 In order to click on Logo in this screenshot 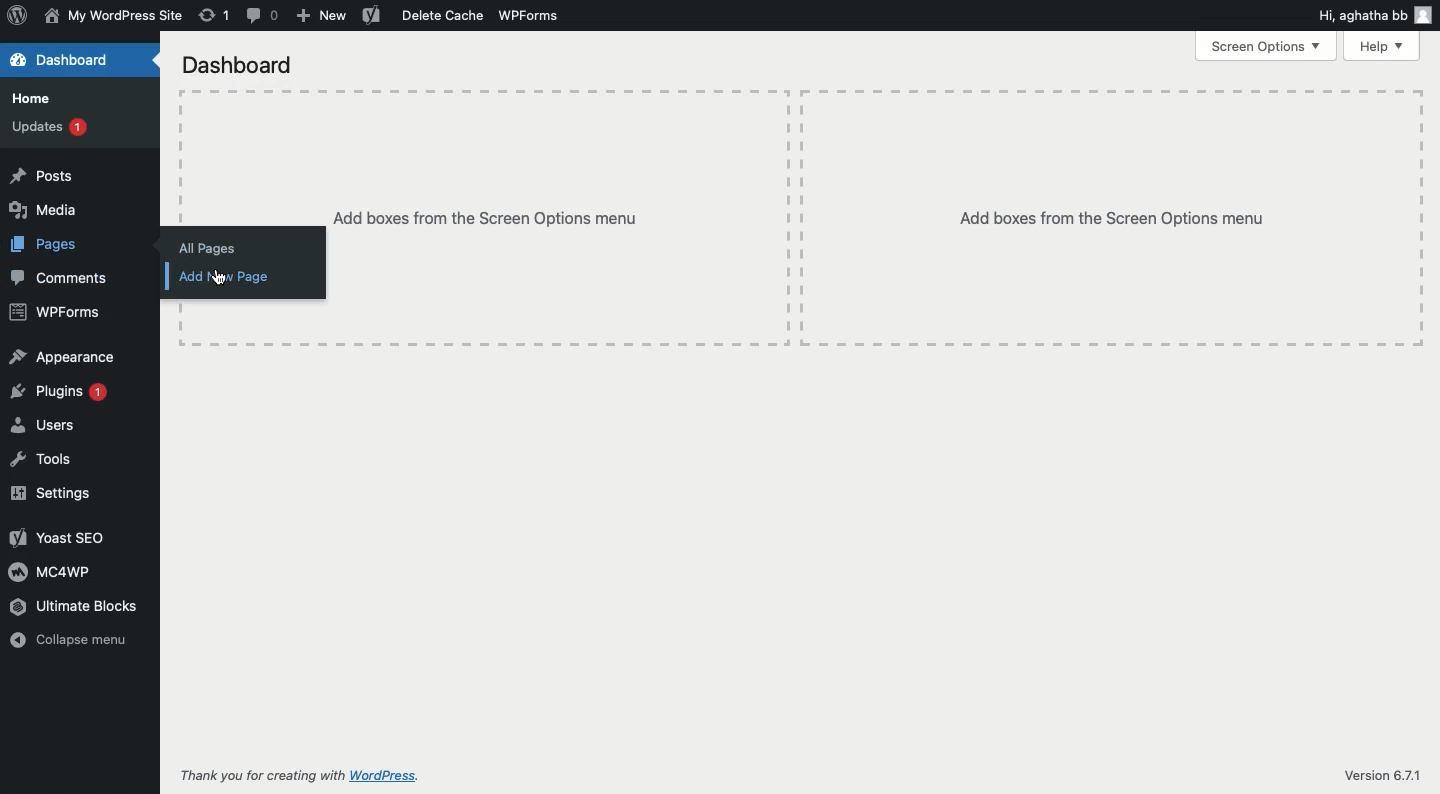, I will do `click(18, 17)`.